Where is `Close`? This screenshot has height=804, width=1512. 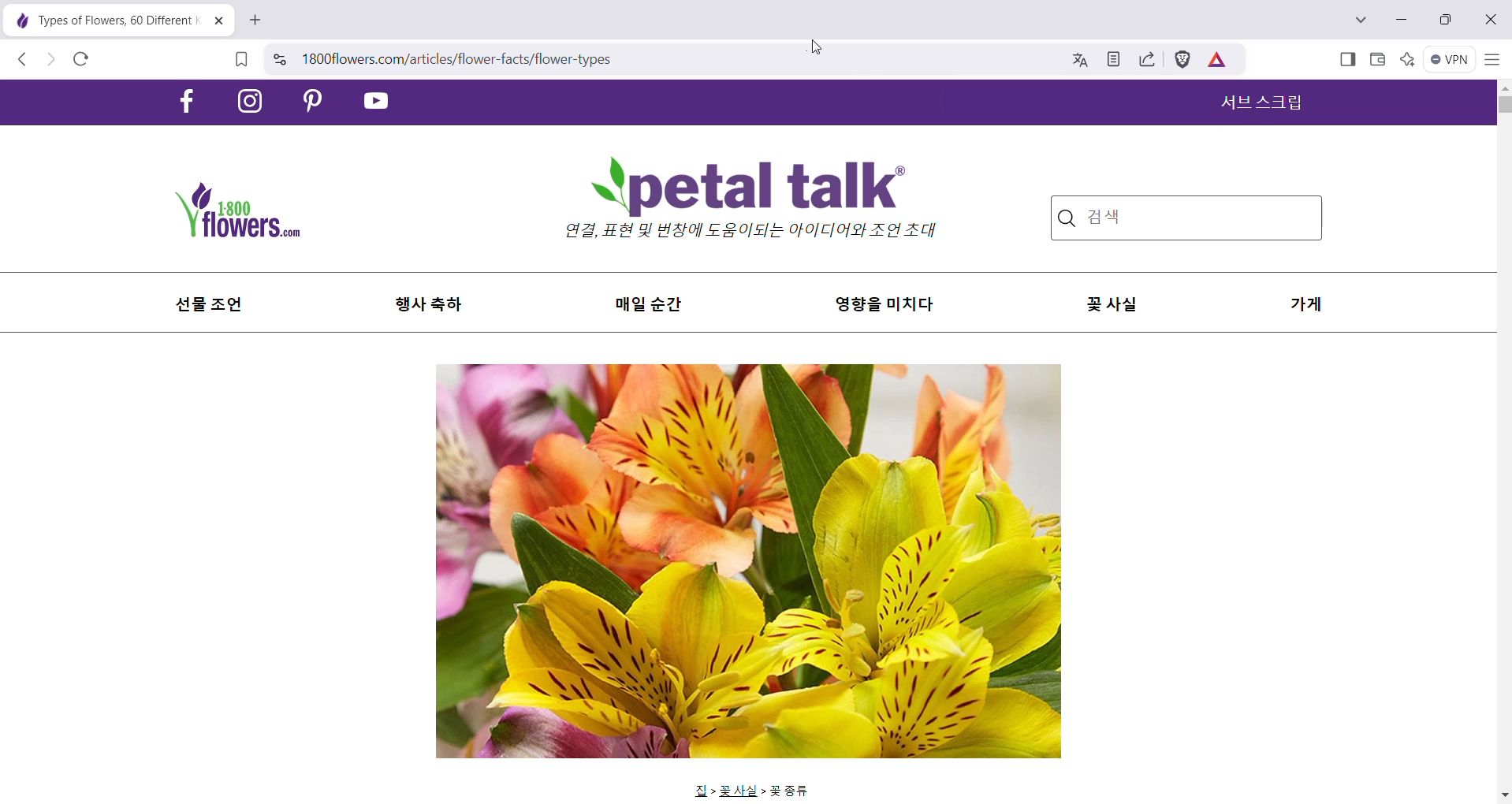 Close is located at coordinates (1493, 20).